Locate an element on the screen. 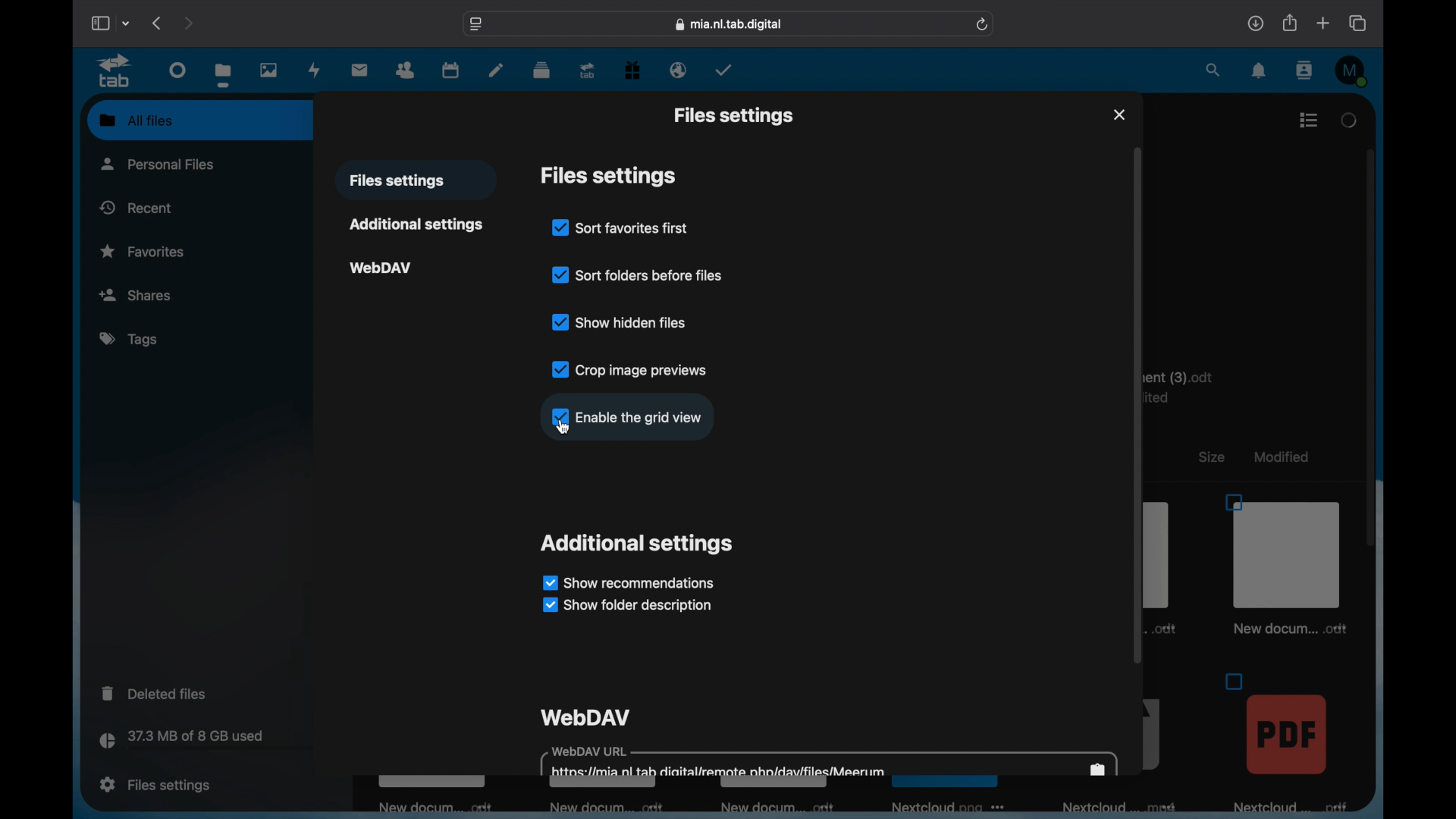  activity is located at coordinates (315, 70).